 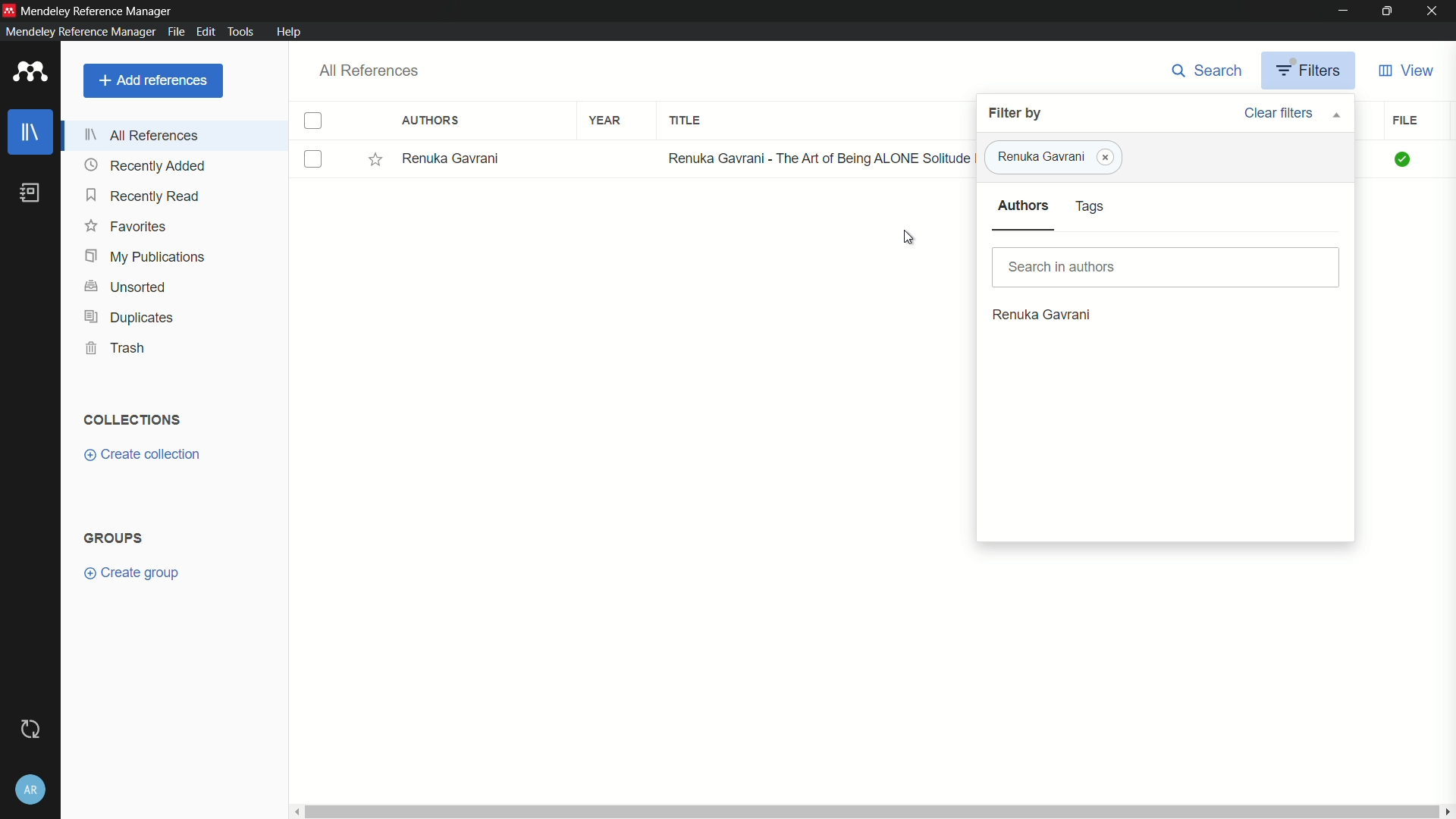 I want to click on clear filters, so click(x=1291, y=114).